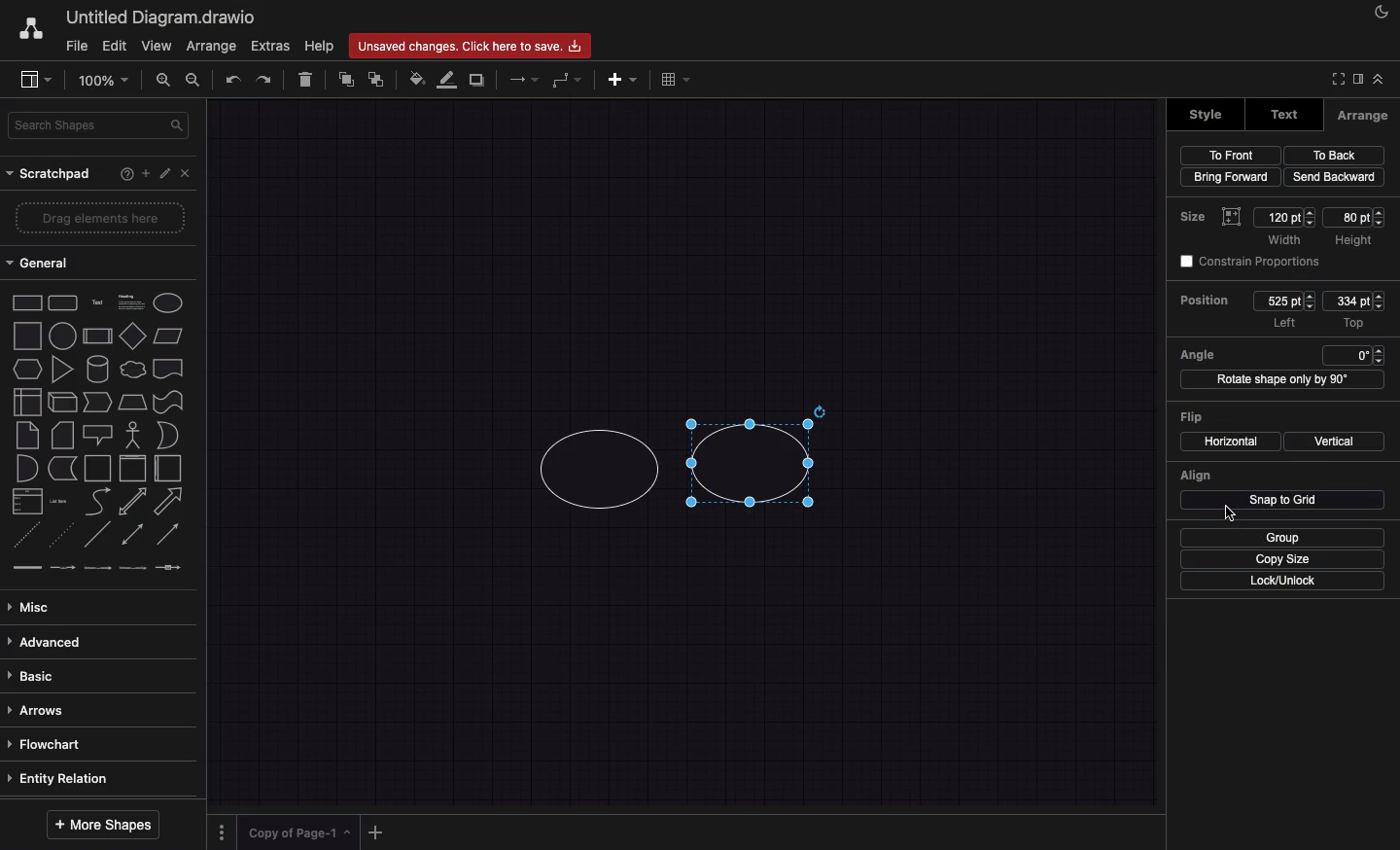 The image size is (1400, 850). I want to click on delete, so click(306, 79).